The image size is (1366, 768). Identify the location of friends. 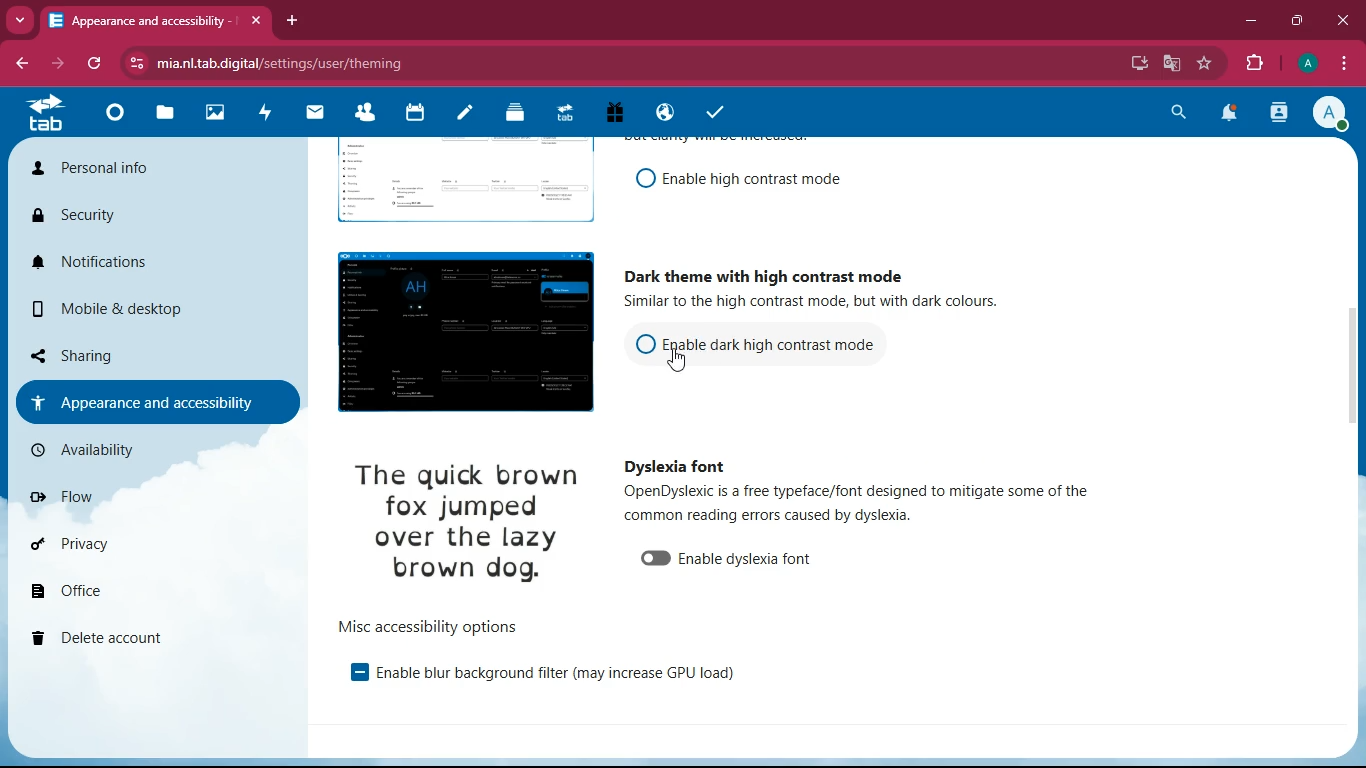
(366, 116).